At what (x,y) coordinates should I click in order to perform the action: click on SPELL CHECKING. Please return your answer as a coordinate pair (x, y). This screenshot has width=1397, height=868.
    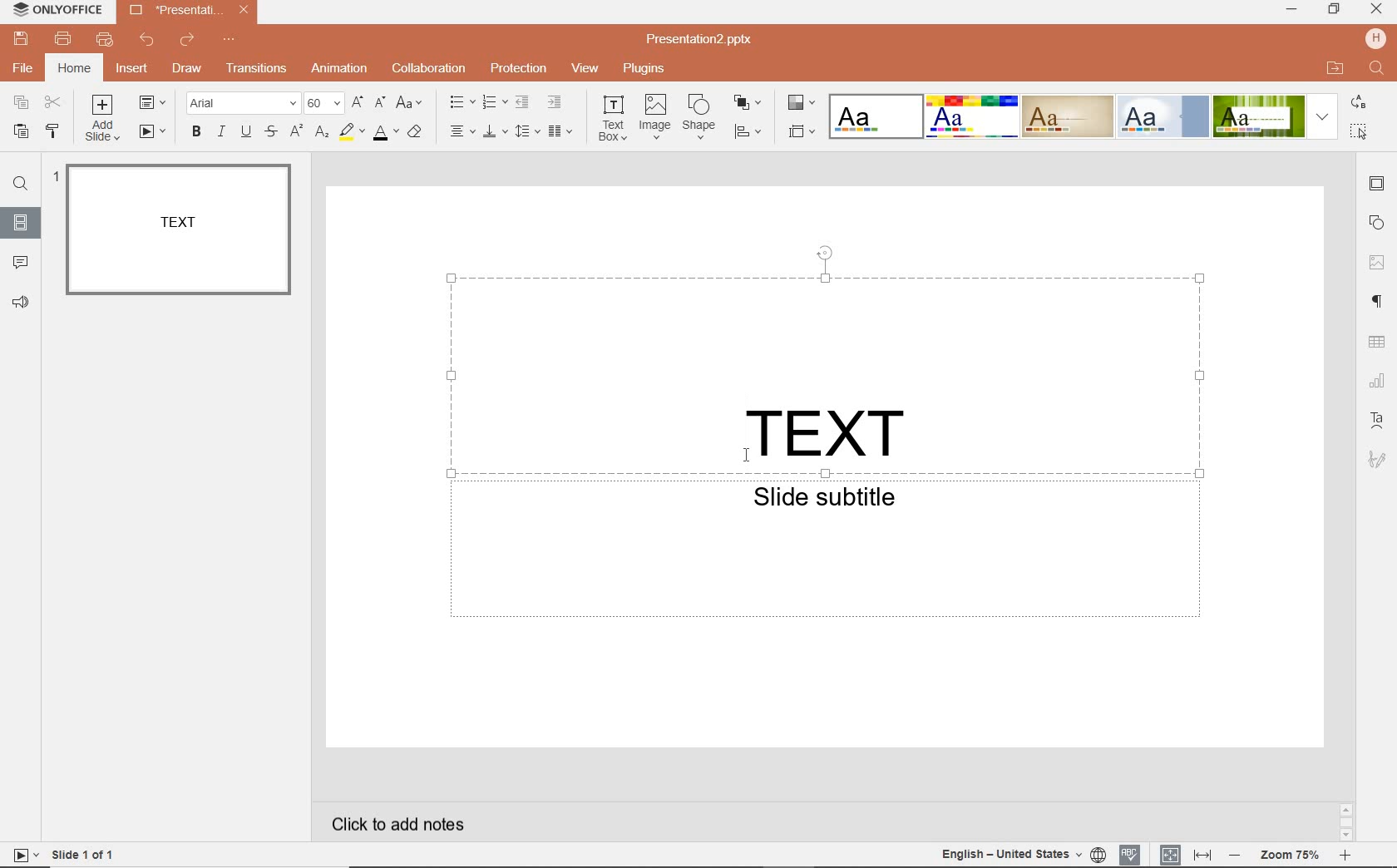
    Looking at the image, I should click on (1131, 852).